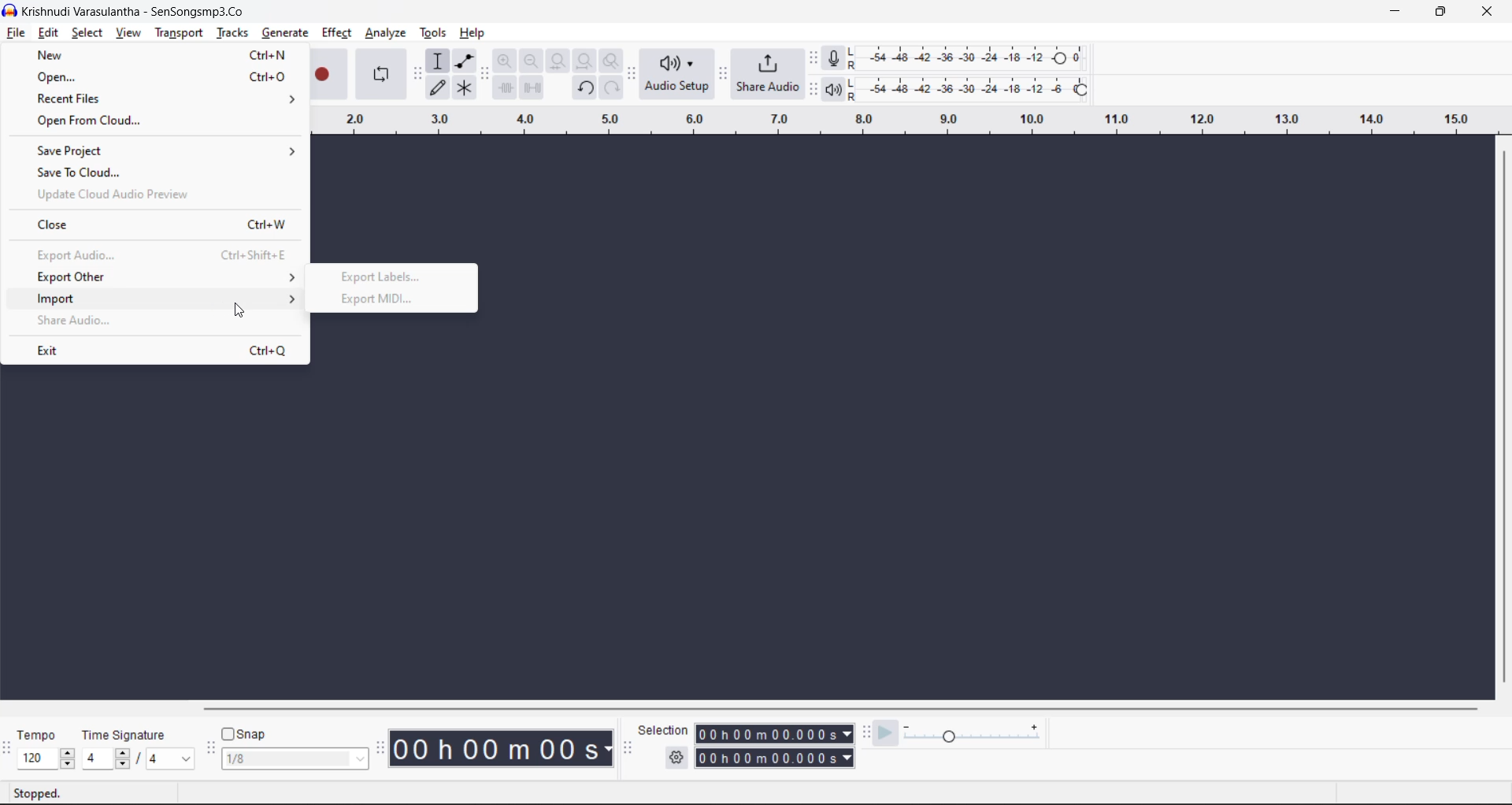 This screenshot has width=1512, height=805. I want to click on export others, so click(159, 276).